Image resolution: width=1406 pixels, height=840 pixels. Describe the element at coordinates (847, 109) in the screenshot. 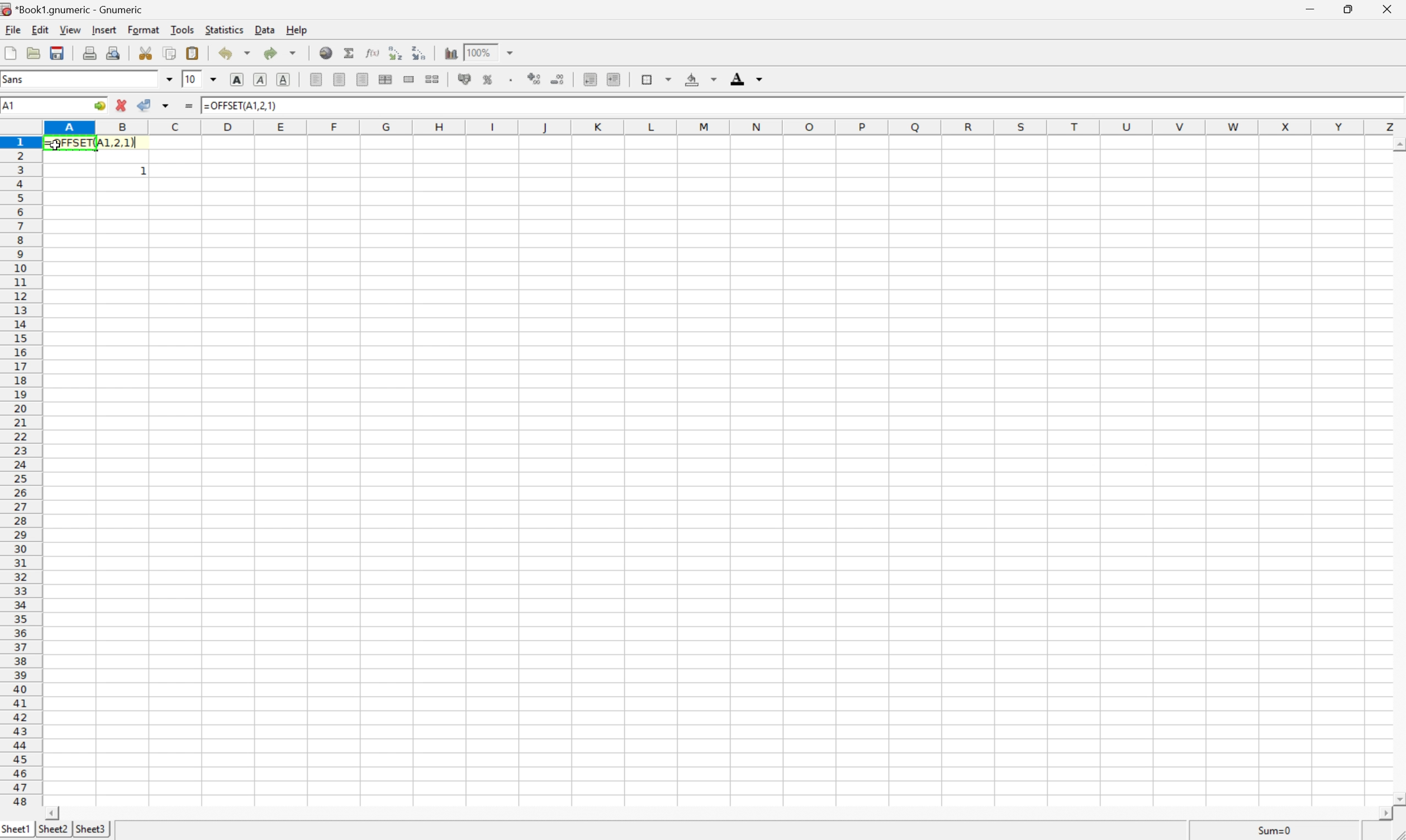

I see `Formula bar` at that location.